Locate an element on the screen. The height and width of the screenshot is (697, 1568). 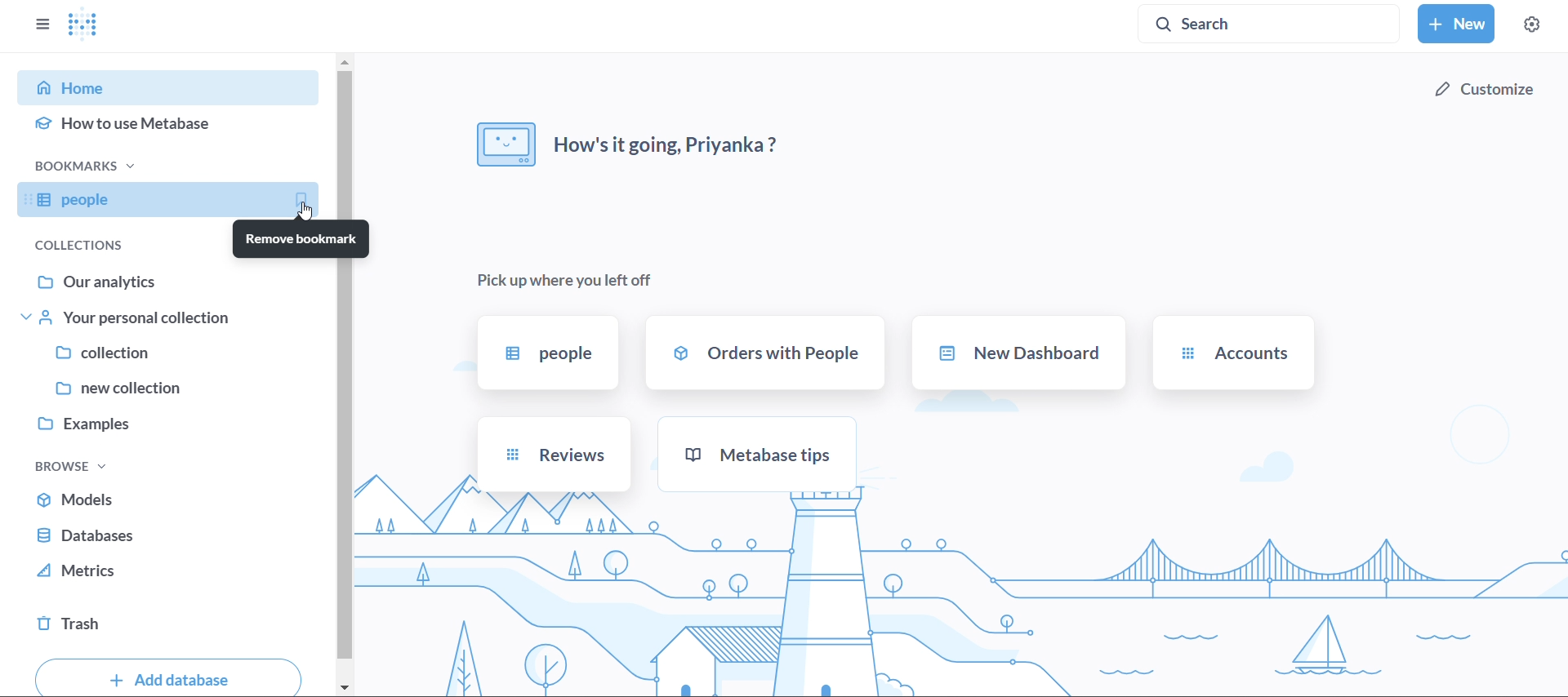
collections is located at coordinates (77, 242).